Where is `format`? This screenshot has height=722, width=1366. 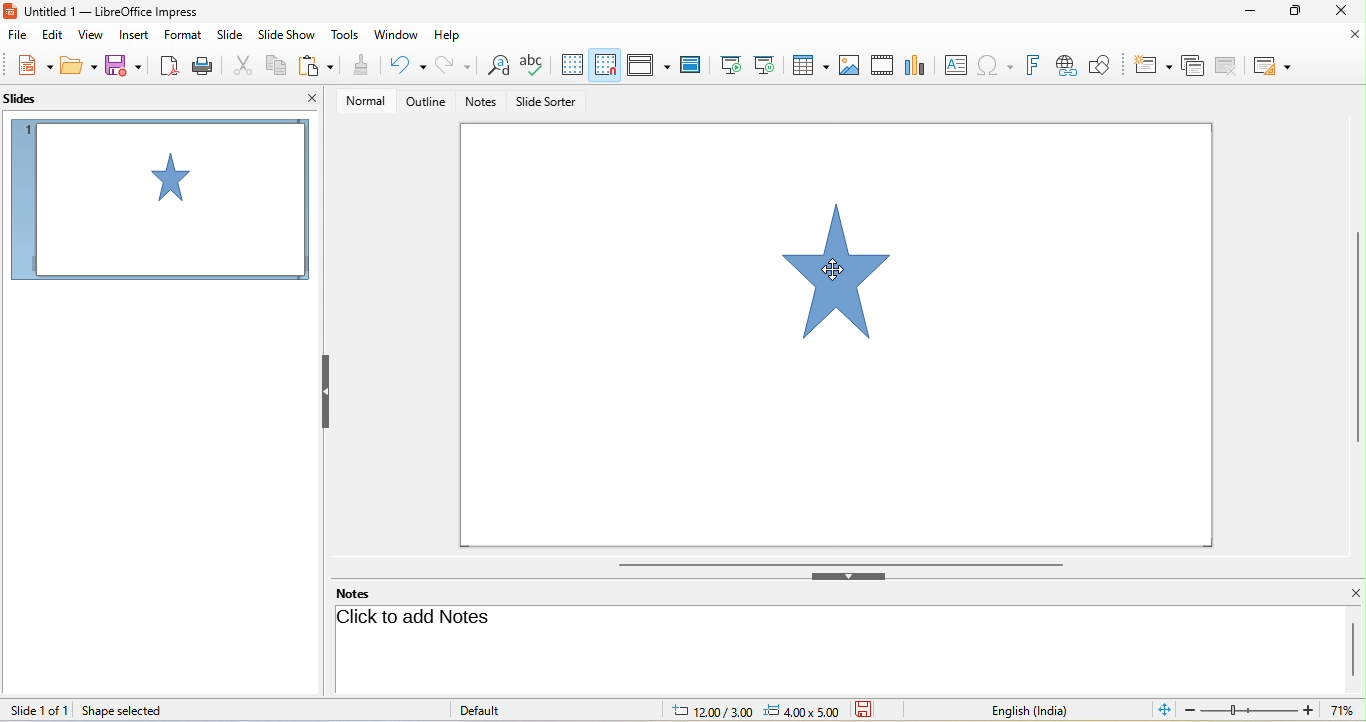 format is located at coordinates (183, 35).